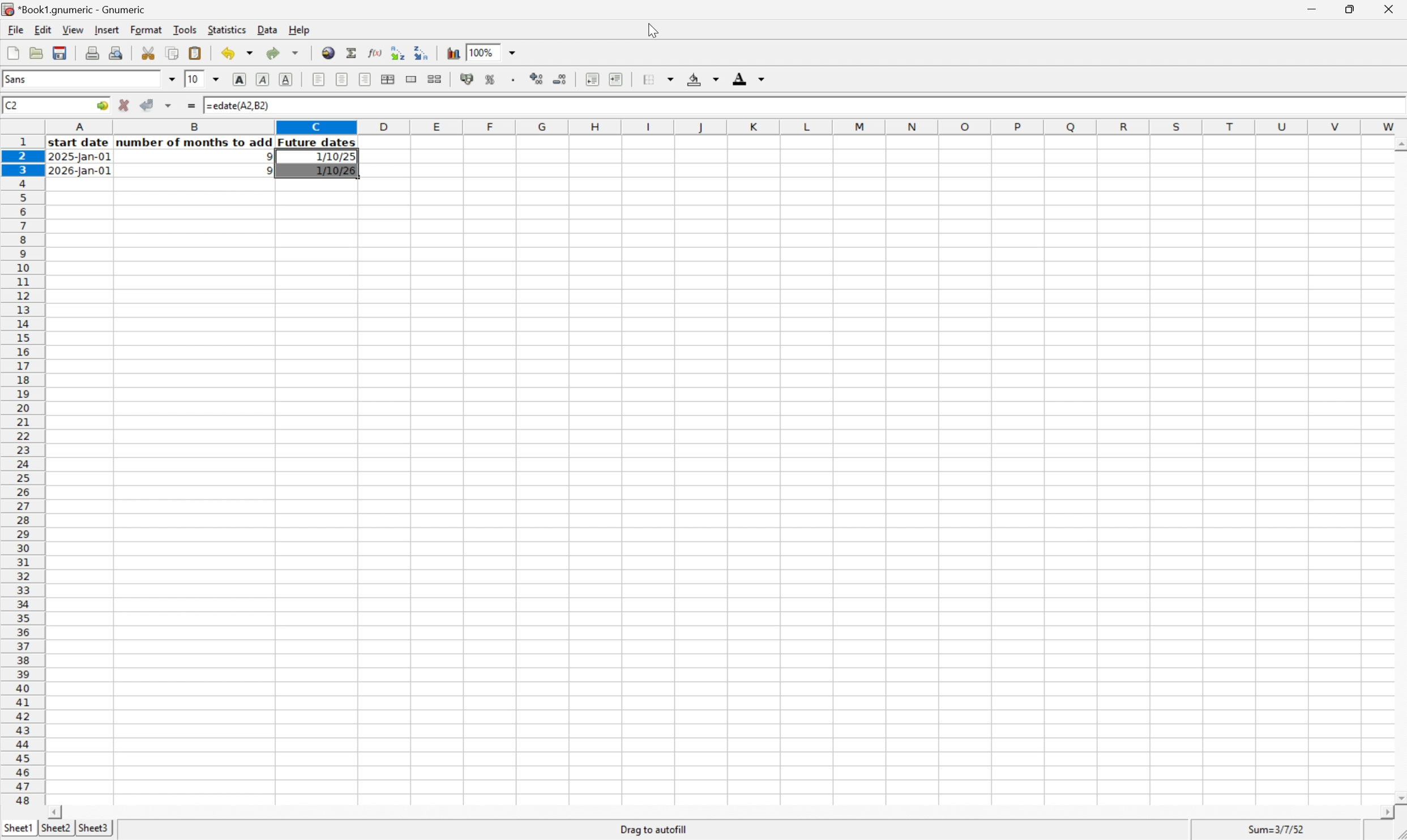  What do you see at coordinates (11, 105) in the screenshot?
I see `C3` at bounding box center [11, 105].